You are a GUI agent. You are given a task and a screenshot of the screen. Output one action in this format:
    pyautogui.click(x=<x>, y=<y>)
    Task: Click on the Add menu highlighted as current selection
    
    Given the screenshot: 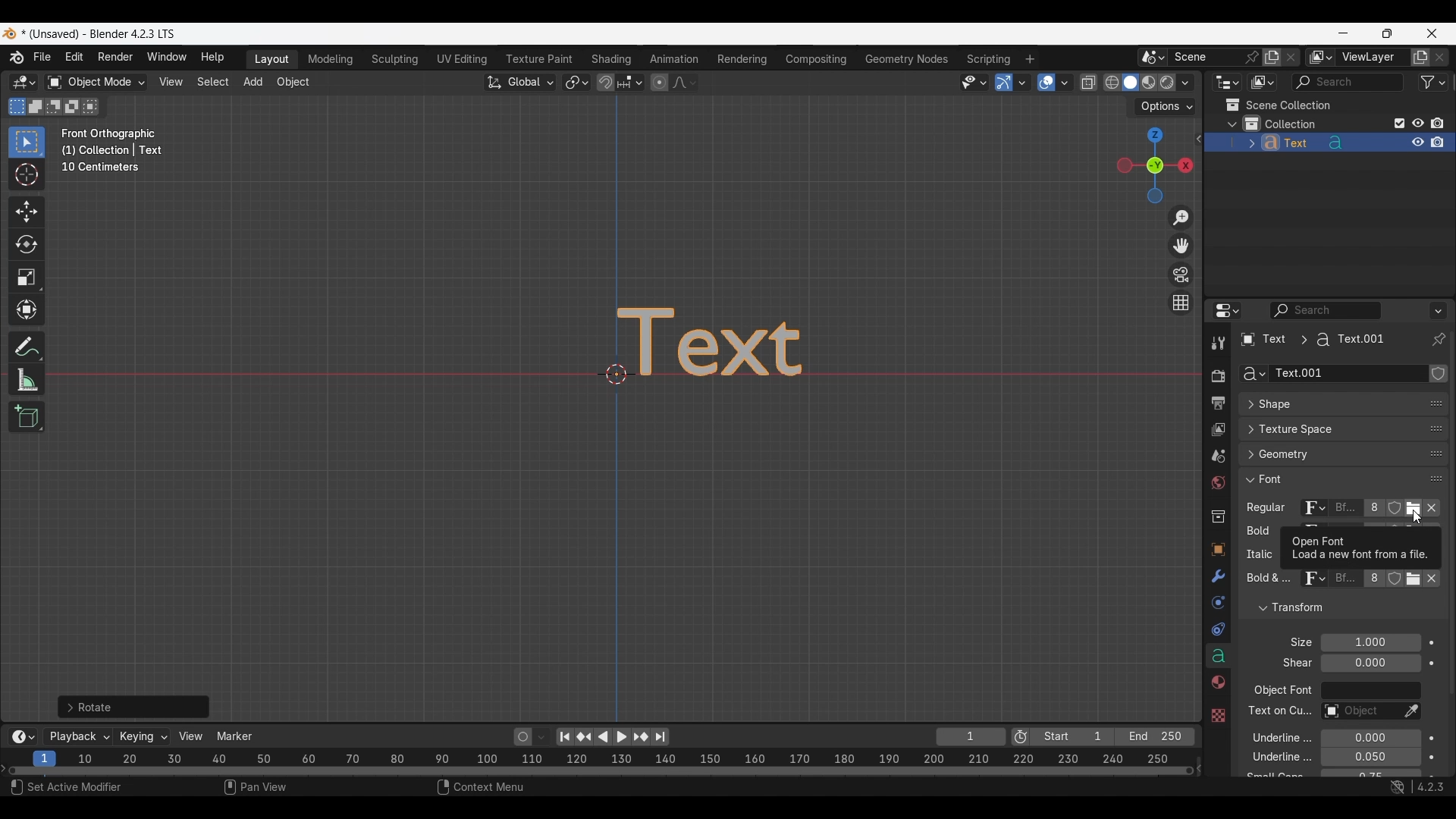 What is the action you would take?
    pyautogui.click(x=253, y=83)
    